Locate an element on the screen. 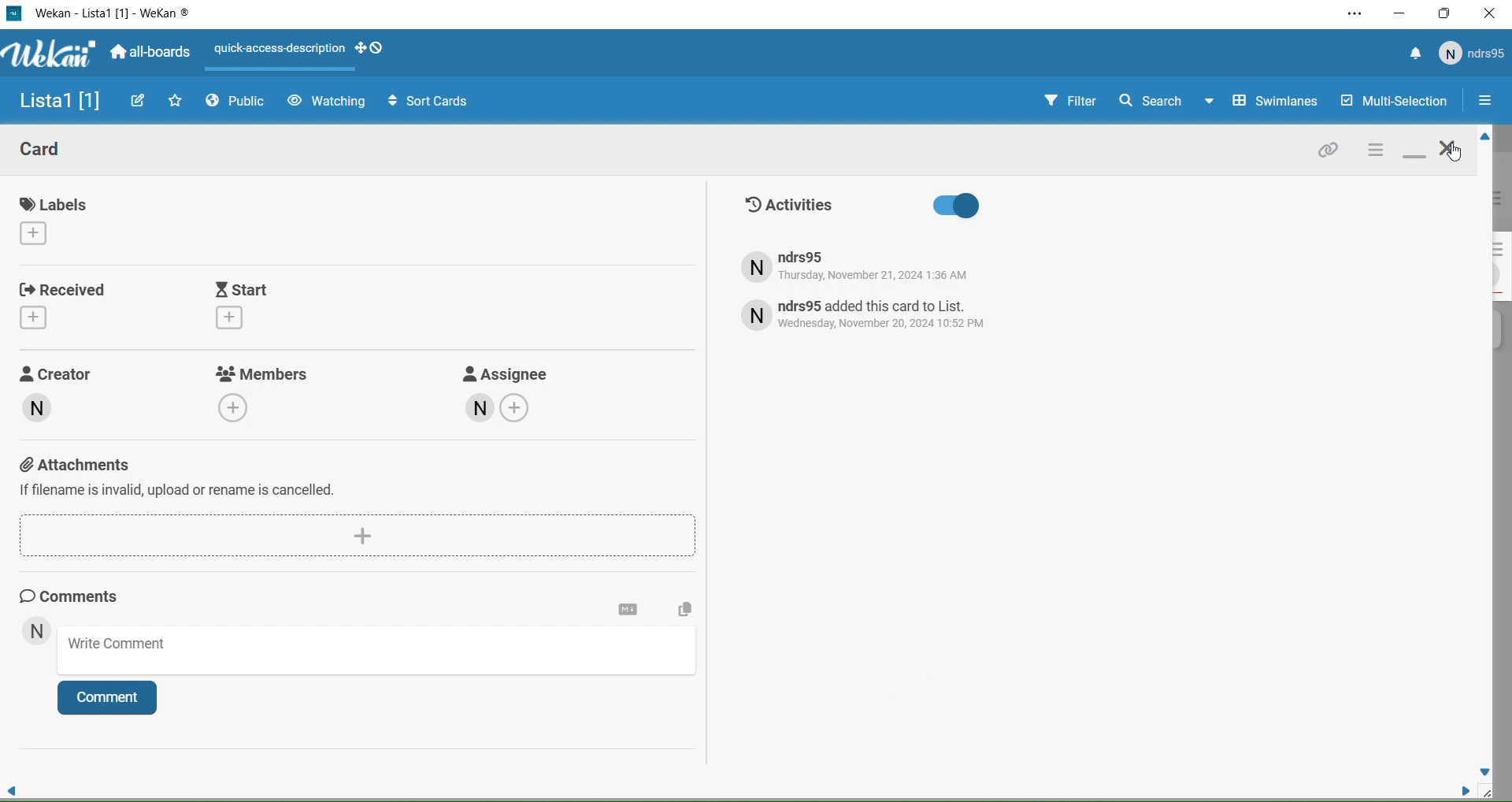  text is located at coordinates (879, 267).